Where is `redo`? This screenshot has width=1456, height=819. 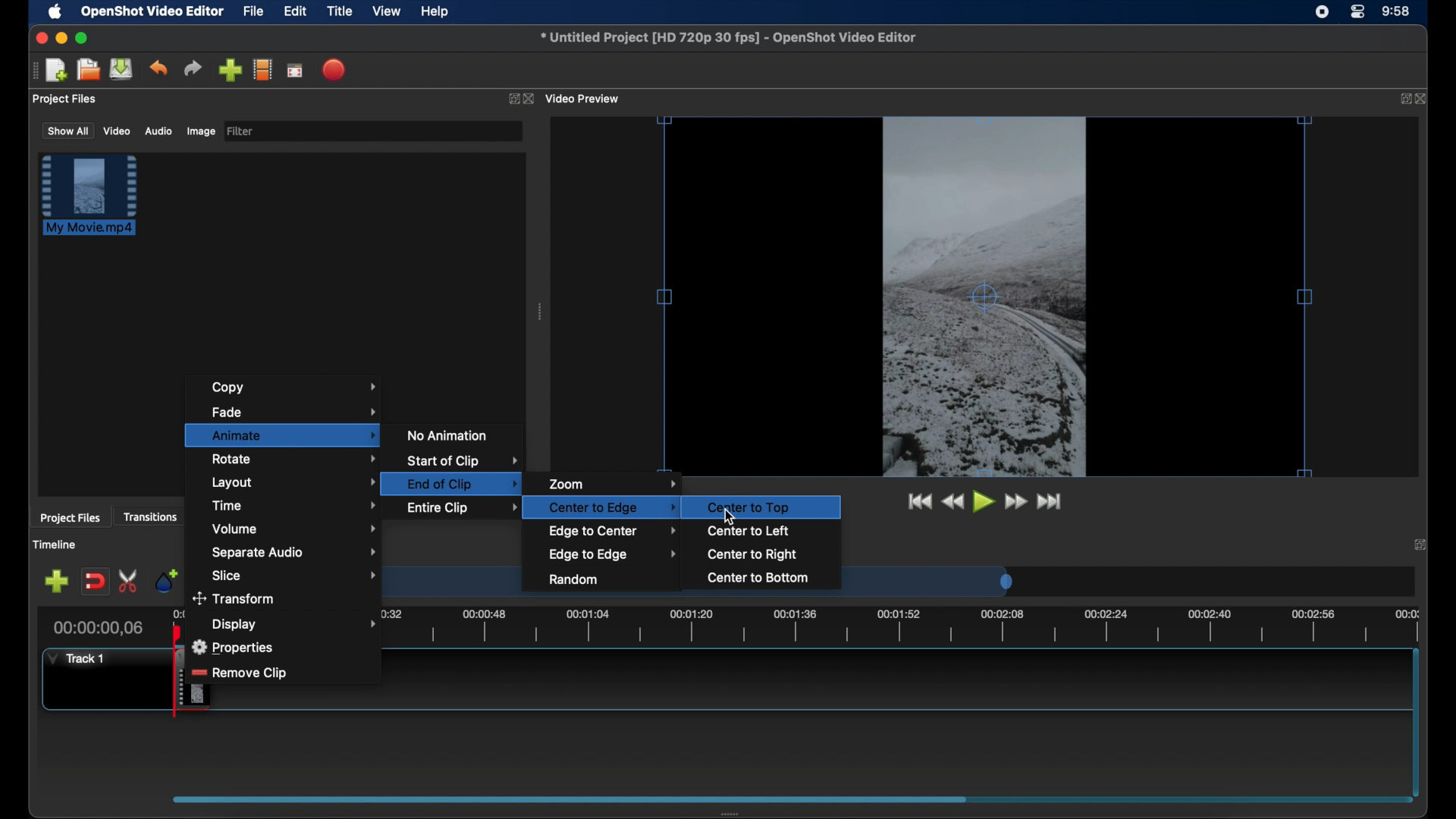
redo is located at coordinates (193, 68).